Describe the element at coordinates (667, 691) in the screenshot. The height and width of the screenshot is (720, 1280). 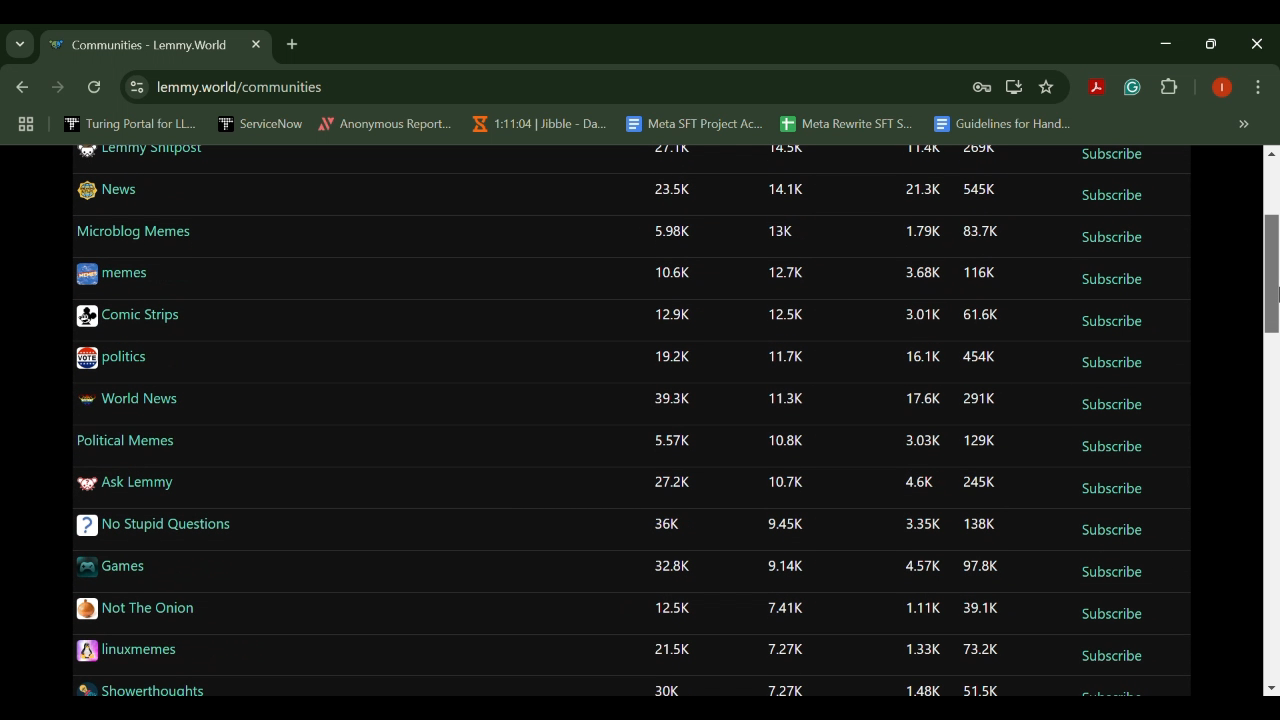
I see `30K` at that location.